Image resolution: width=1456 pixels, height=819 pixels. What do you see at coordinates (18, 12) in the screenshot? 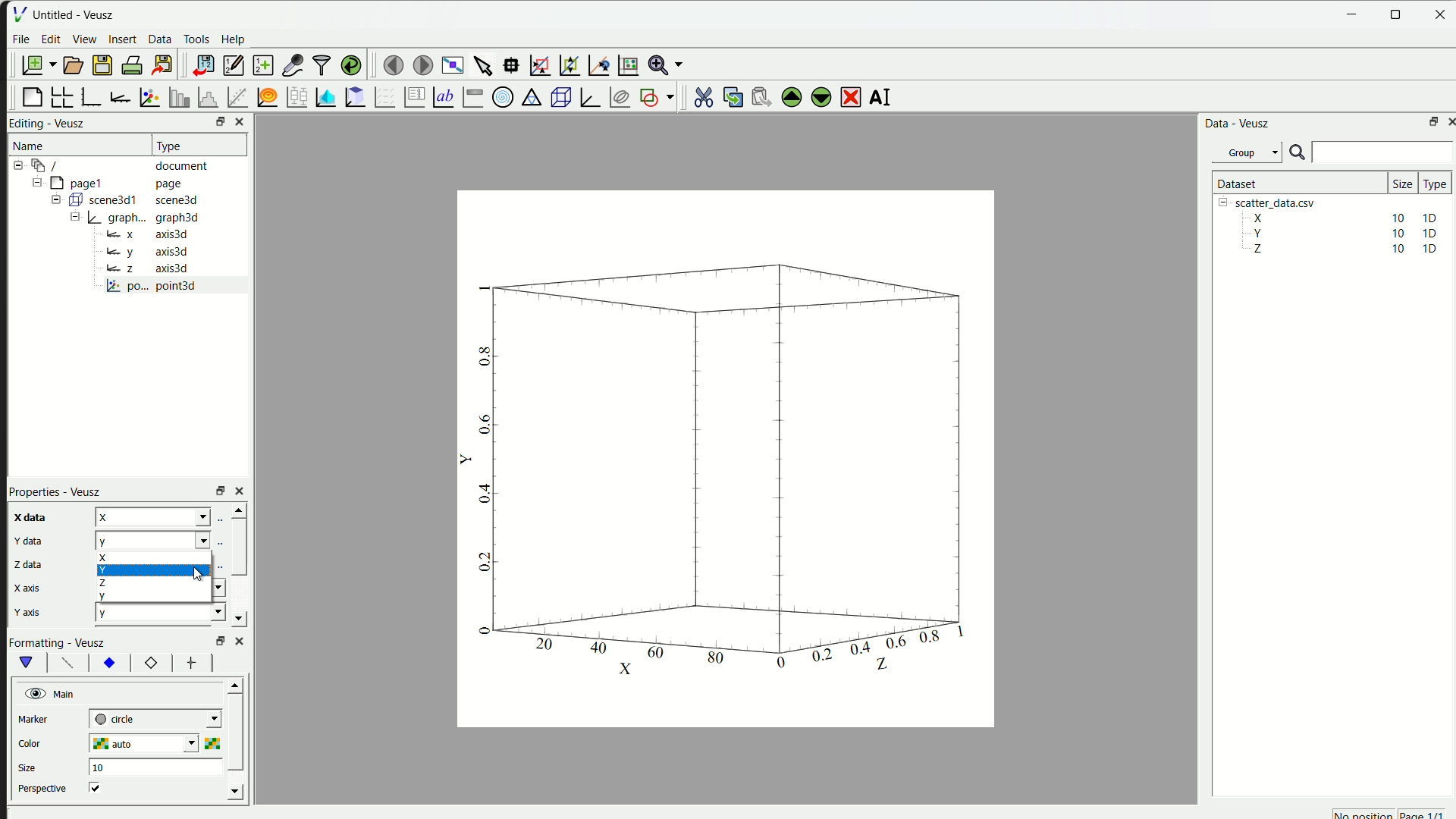
I see `| File` at bounding box center [18, 12].